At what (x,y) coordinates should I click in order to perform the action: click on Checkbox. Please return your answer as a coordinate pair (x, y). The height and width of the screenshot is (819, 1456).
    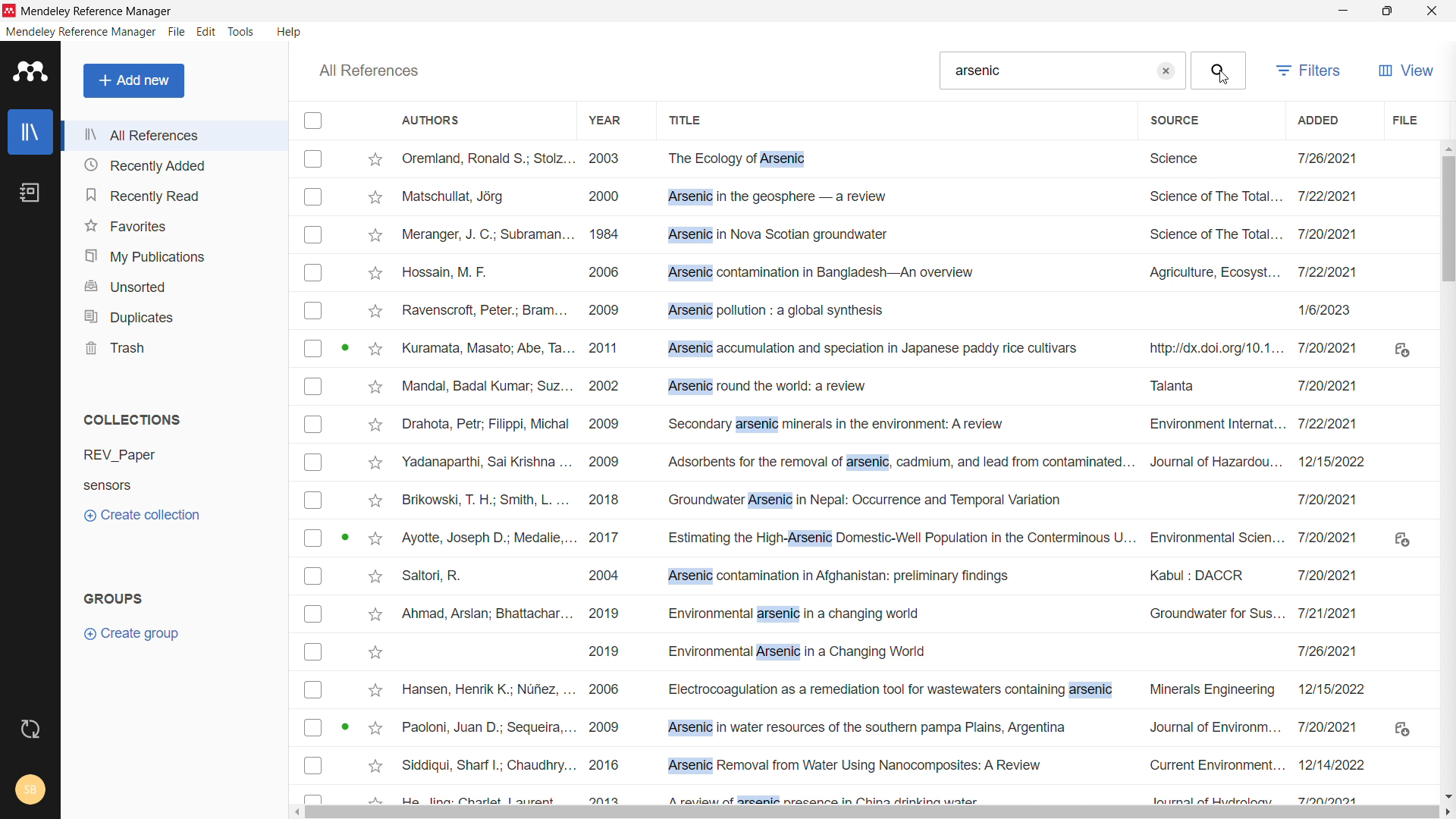
    Looking at the image, I should click on (314, 730).